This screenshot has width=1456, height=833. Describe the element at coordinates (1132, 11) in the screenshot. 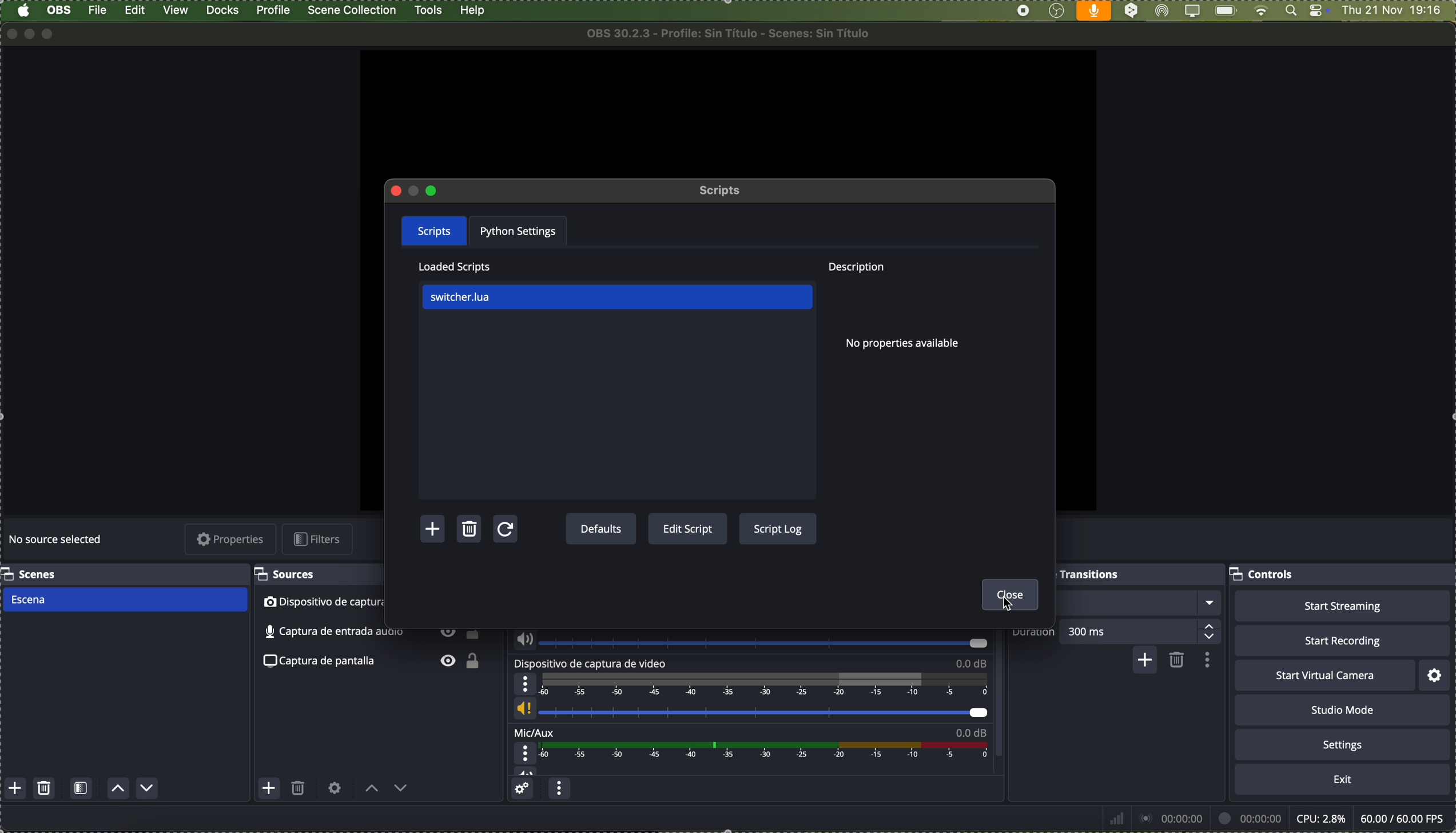

I see `DeepL` at that location.